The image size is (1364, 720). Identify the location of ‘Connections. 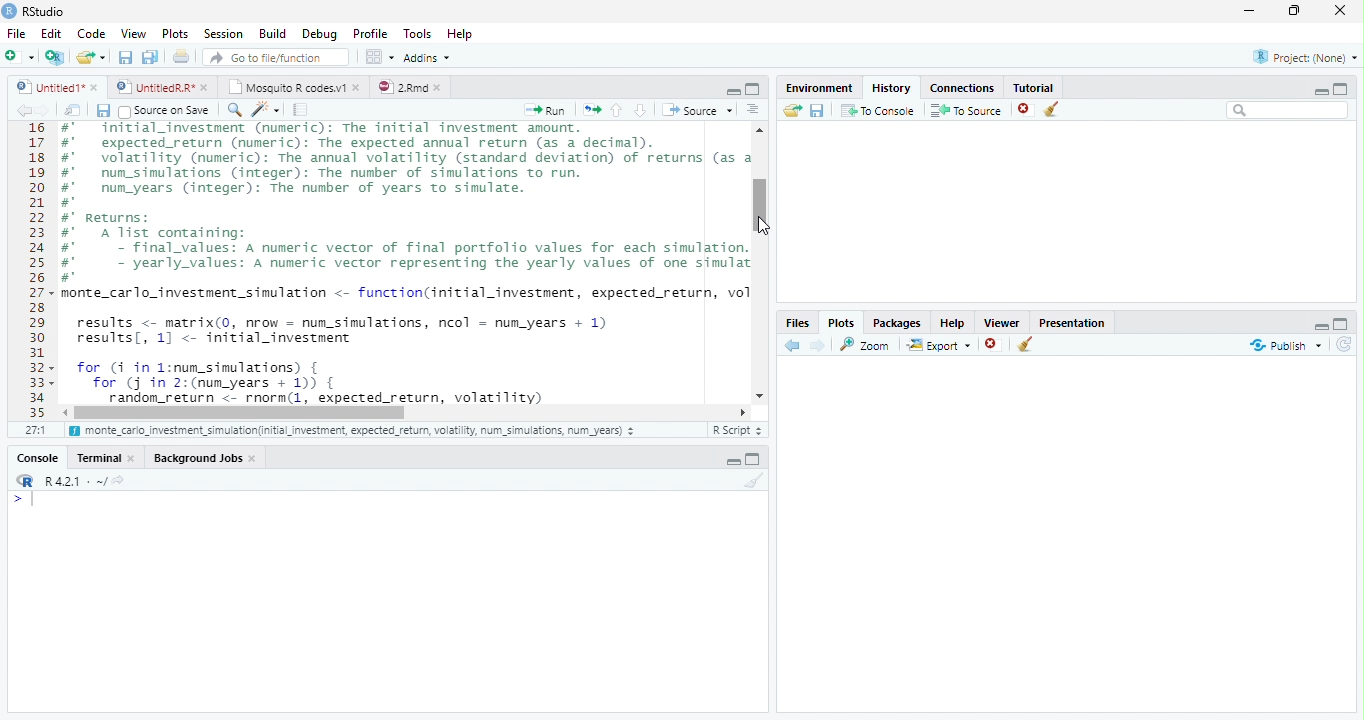
(959, 86).